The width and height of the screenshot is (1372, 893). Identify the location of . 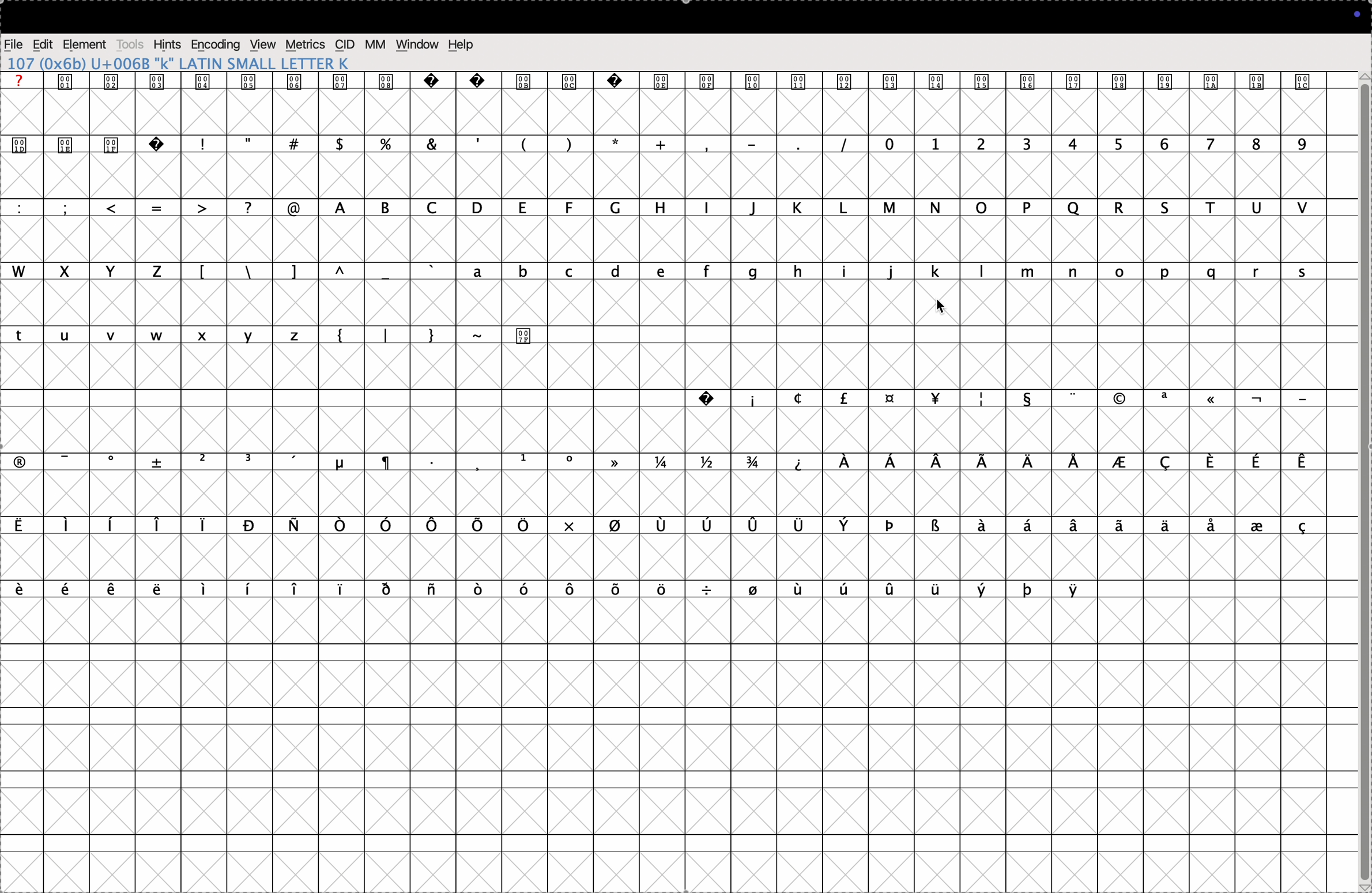
(201, 336).